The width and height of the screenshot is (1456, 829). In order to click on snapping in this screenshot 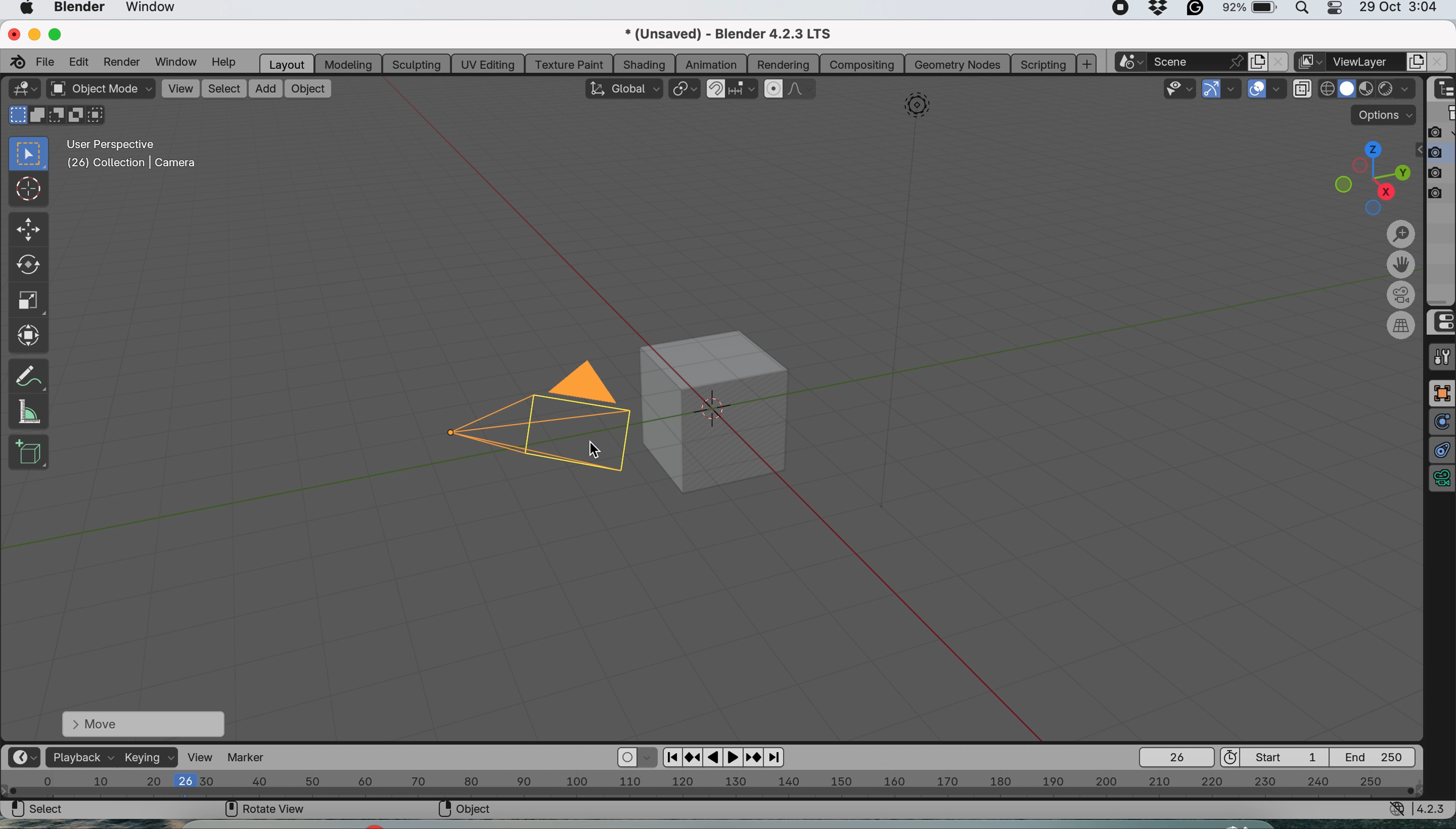, I will do `click(744, 90)`.